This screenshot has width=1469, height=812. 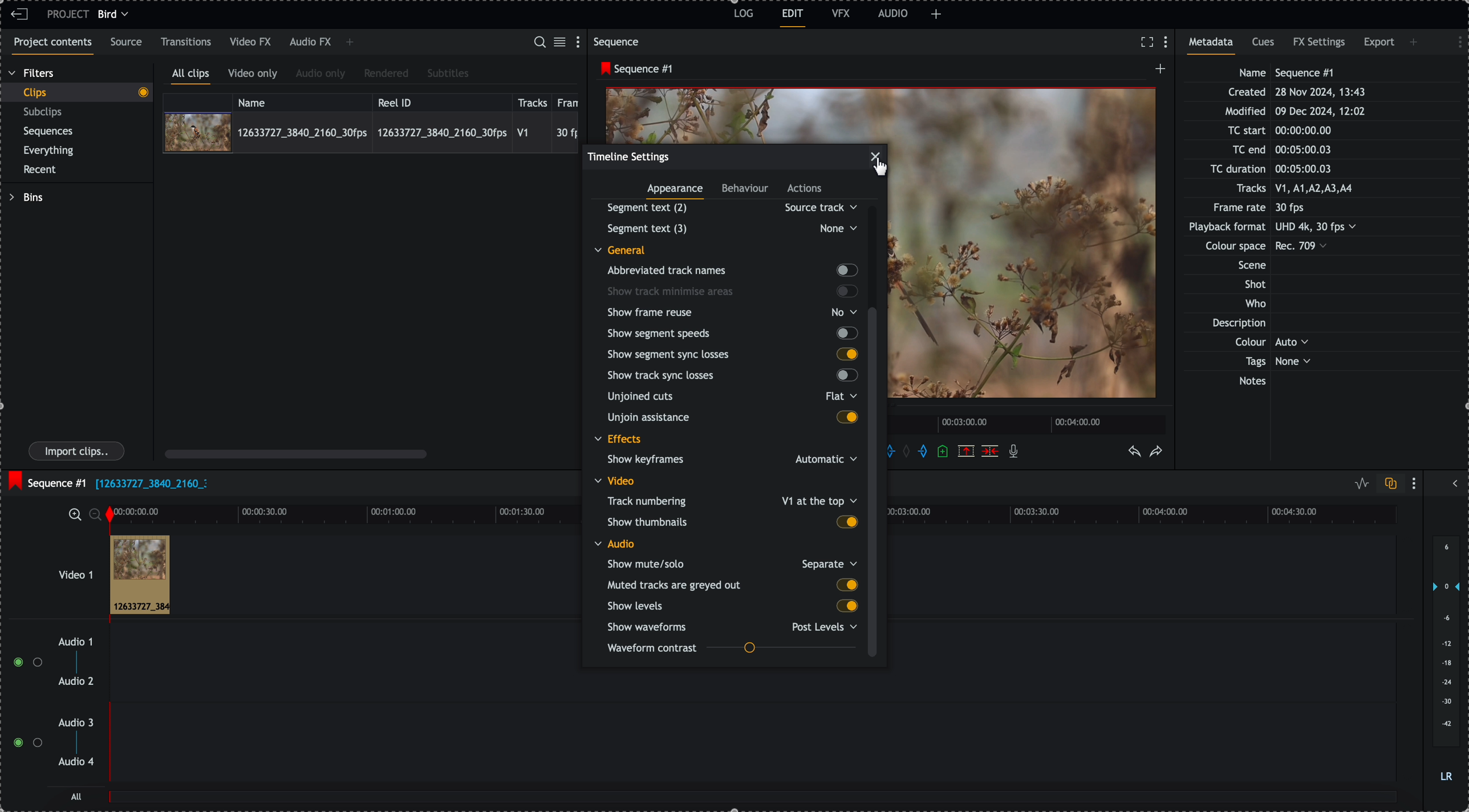 I want to click on frame, so click(x=570, y=101).